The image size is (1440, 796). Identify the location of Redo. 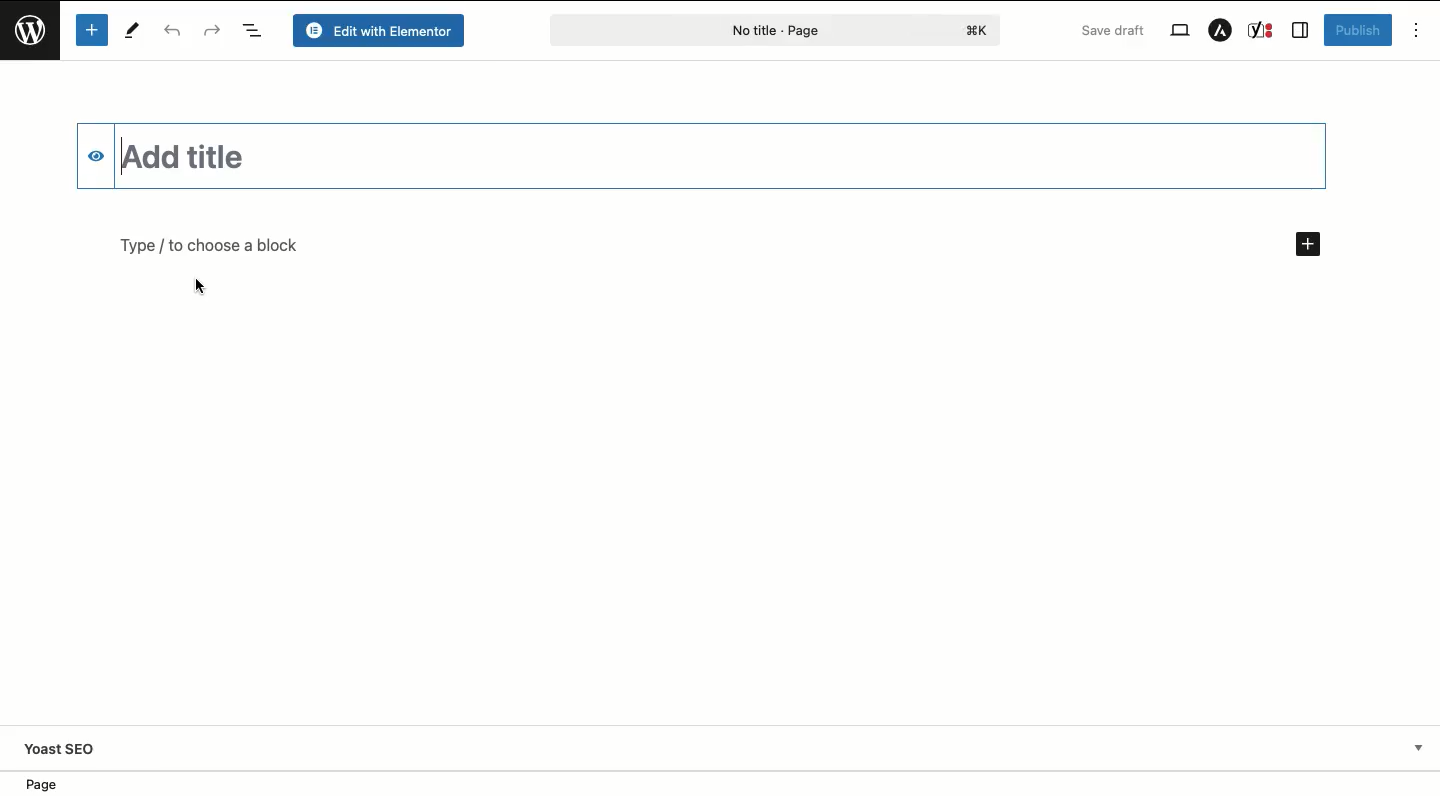
(213, 32).